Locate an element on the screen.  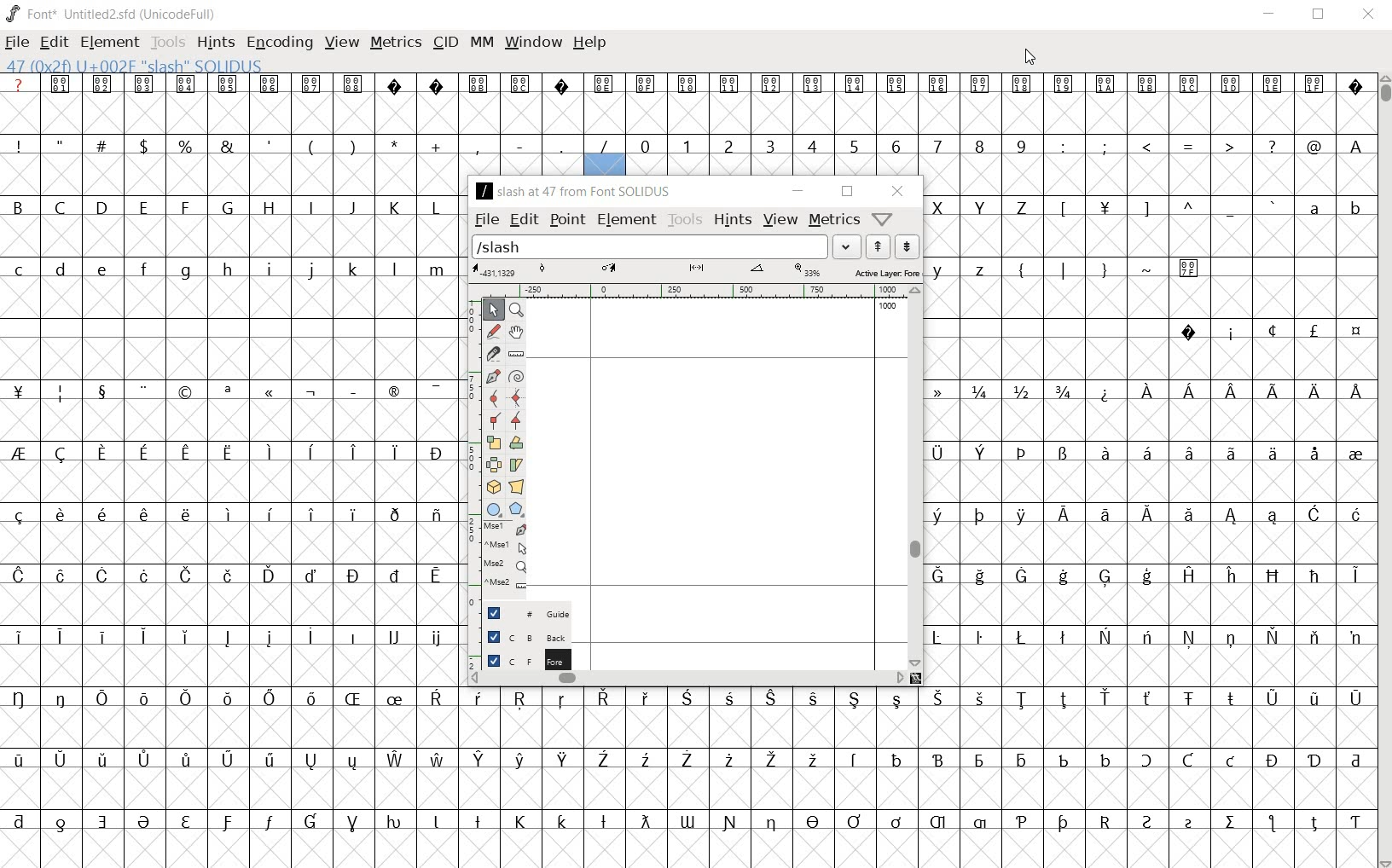
special letters is located at coordinates (1147, 635).